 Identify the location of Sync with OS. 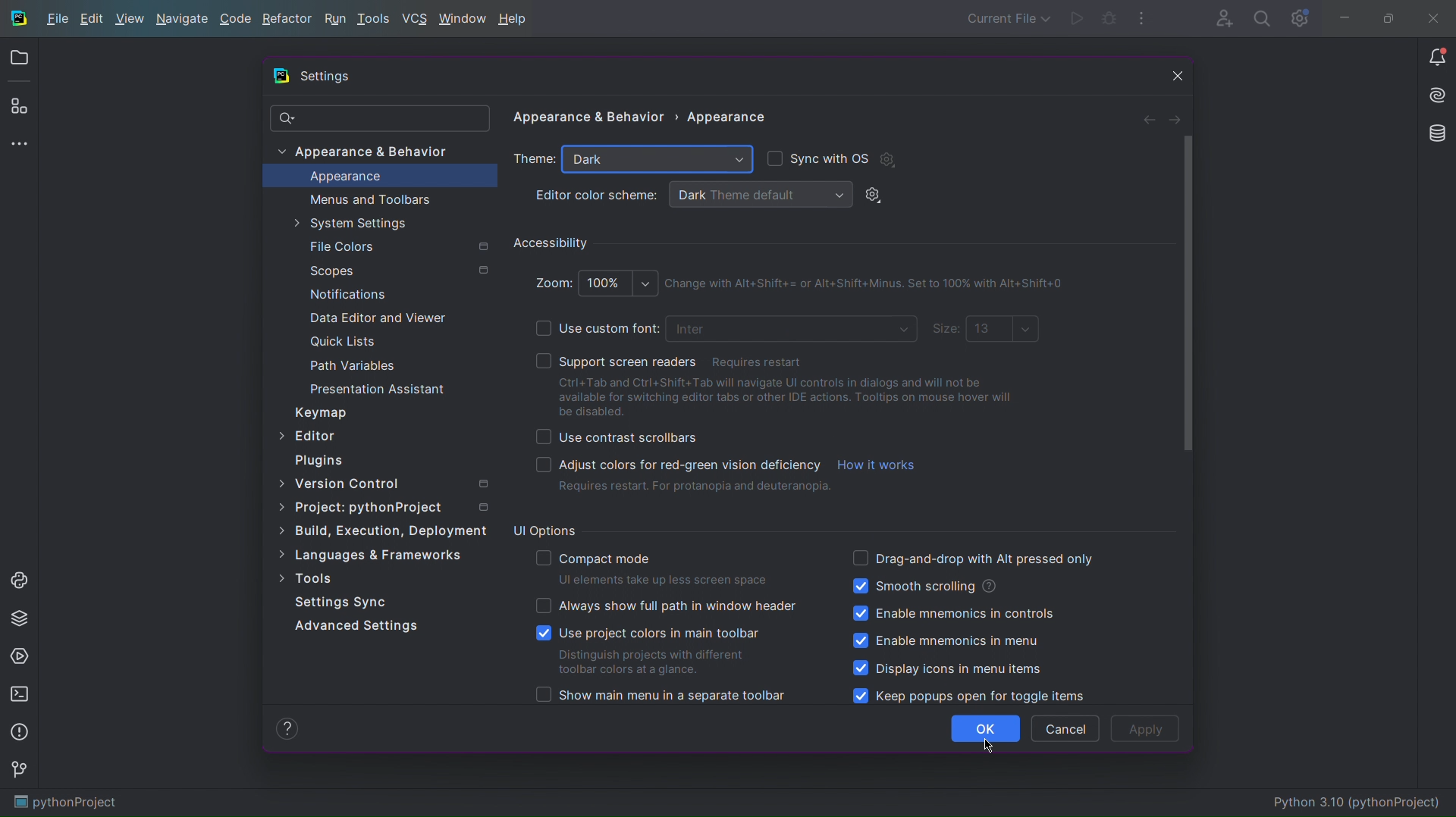
(817, 157).